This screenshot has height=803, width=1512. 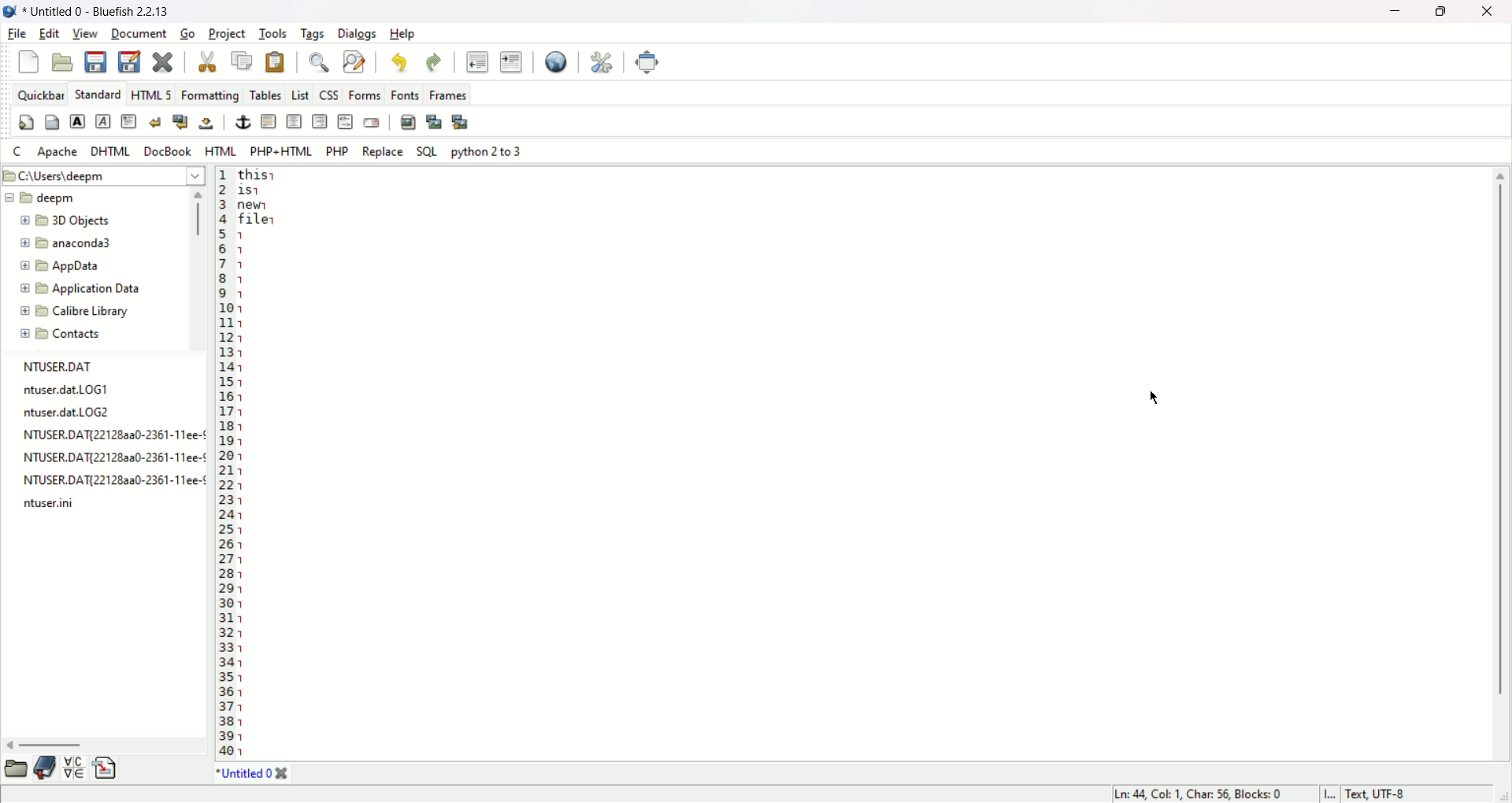 What do you see at coordinates (266, 92) in the screenshot?
I see `Tables` at bounding box center [266, 92].